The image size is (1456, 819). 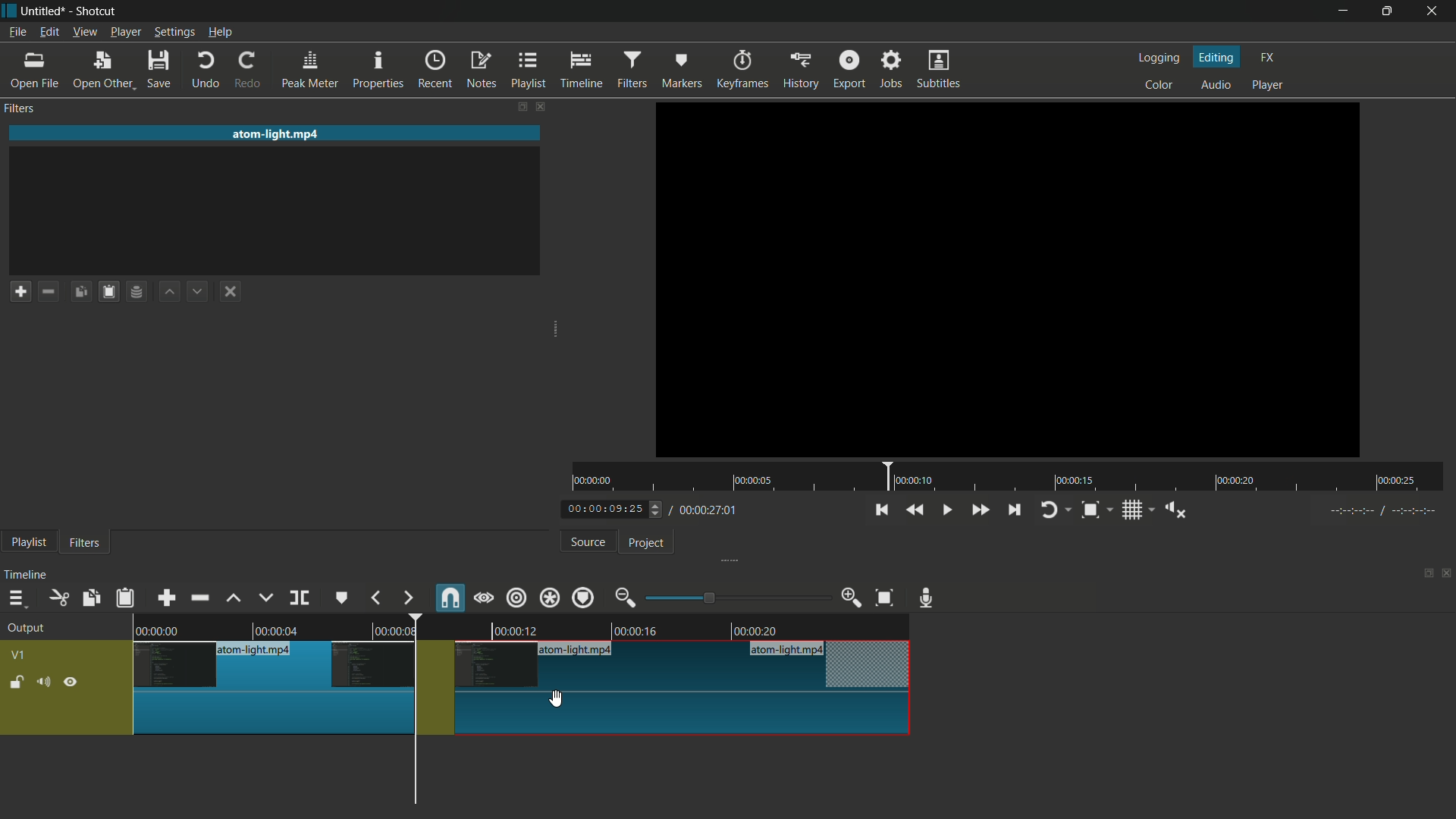 What do you see at coordinates (682, 71) in the screenshot?
I see `markers` at bounding box center [682, 71].